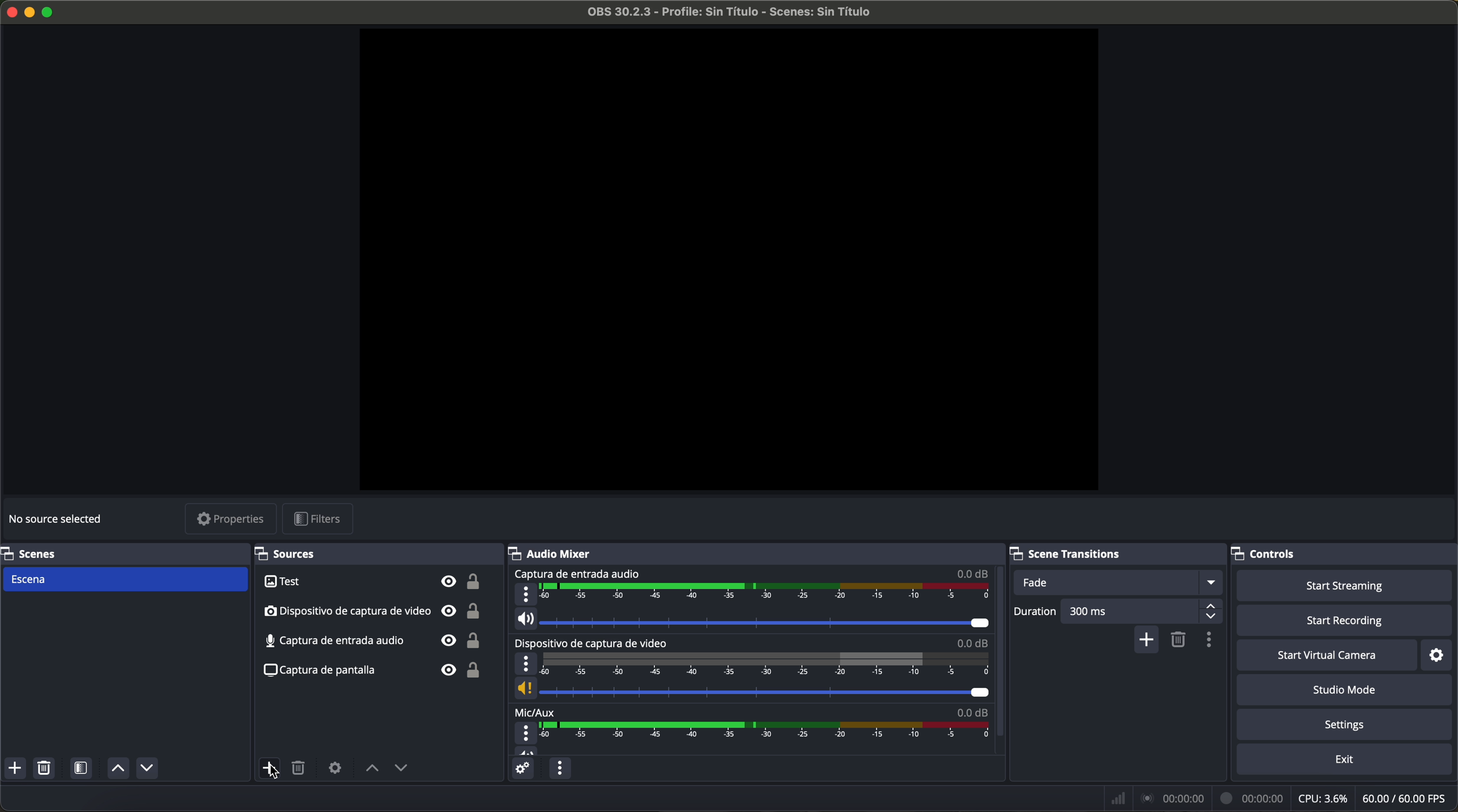 This screenshot has height=812, width=1458. I want to click on 0.0 dB, so click(967, 714).